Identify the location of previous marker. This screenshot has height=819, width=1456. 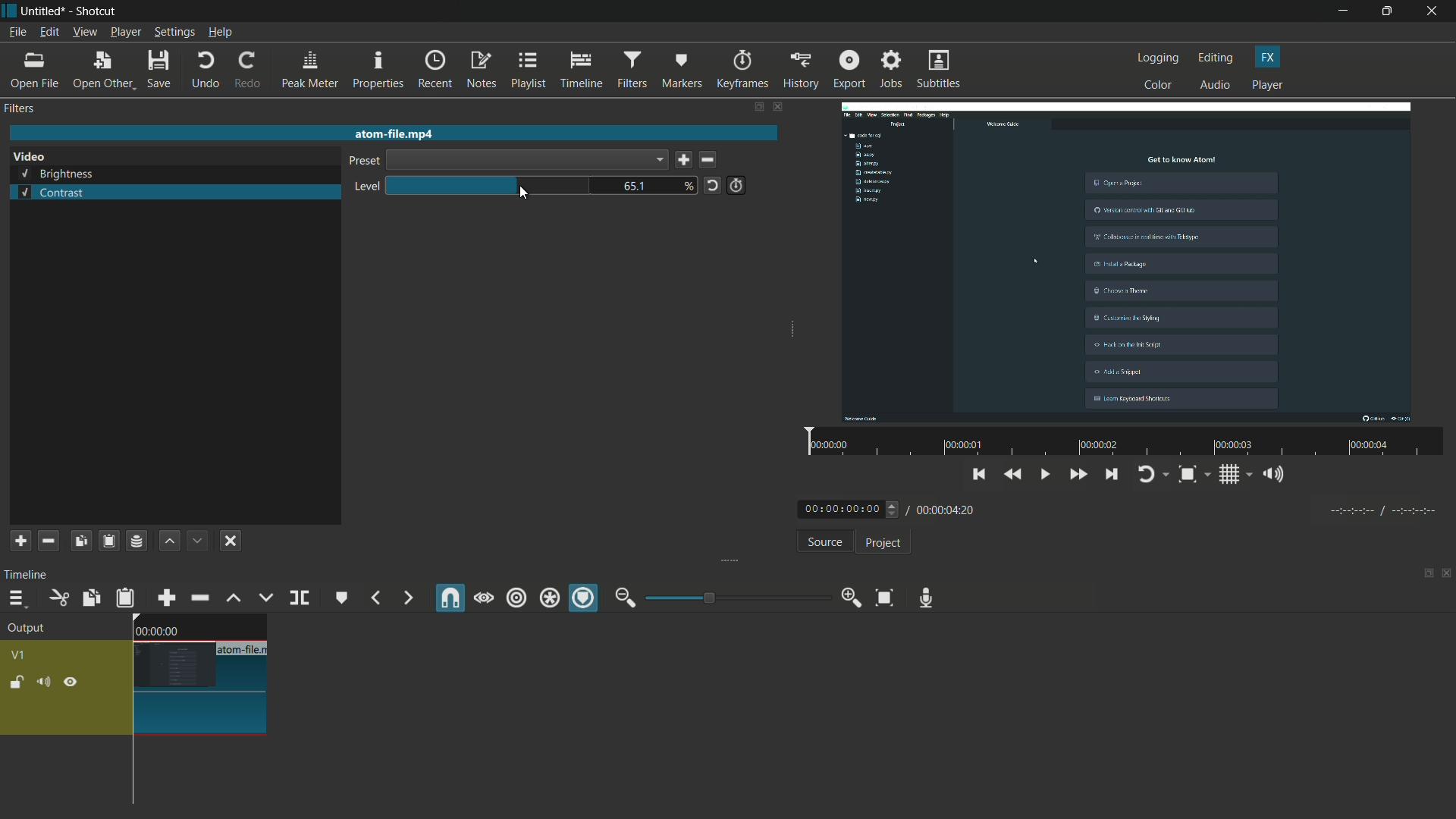
(375, 598).